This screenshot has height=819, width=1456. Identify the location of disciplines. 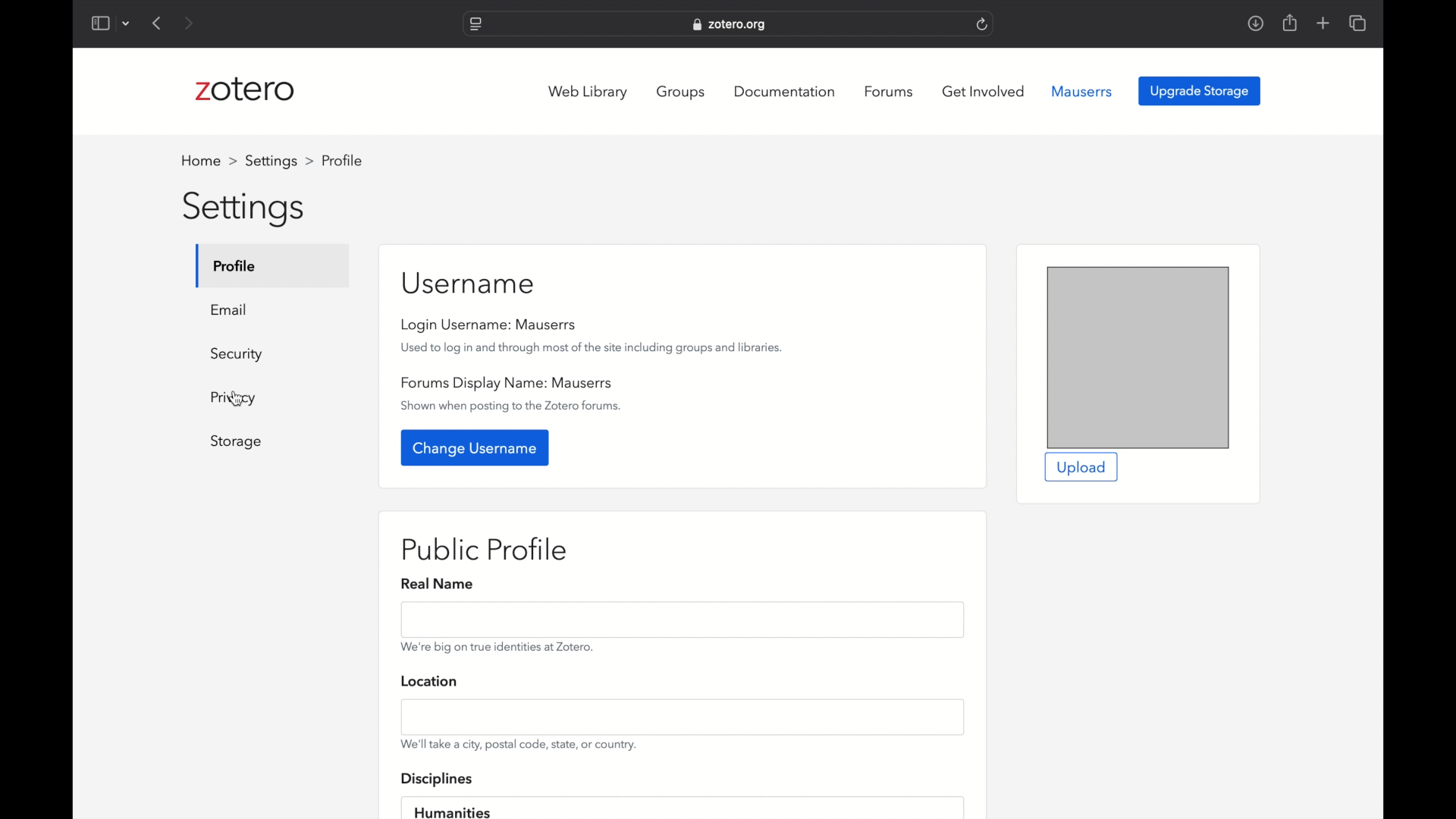
(438, 780).